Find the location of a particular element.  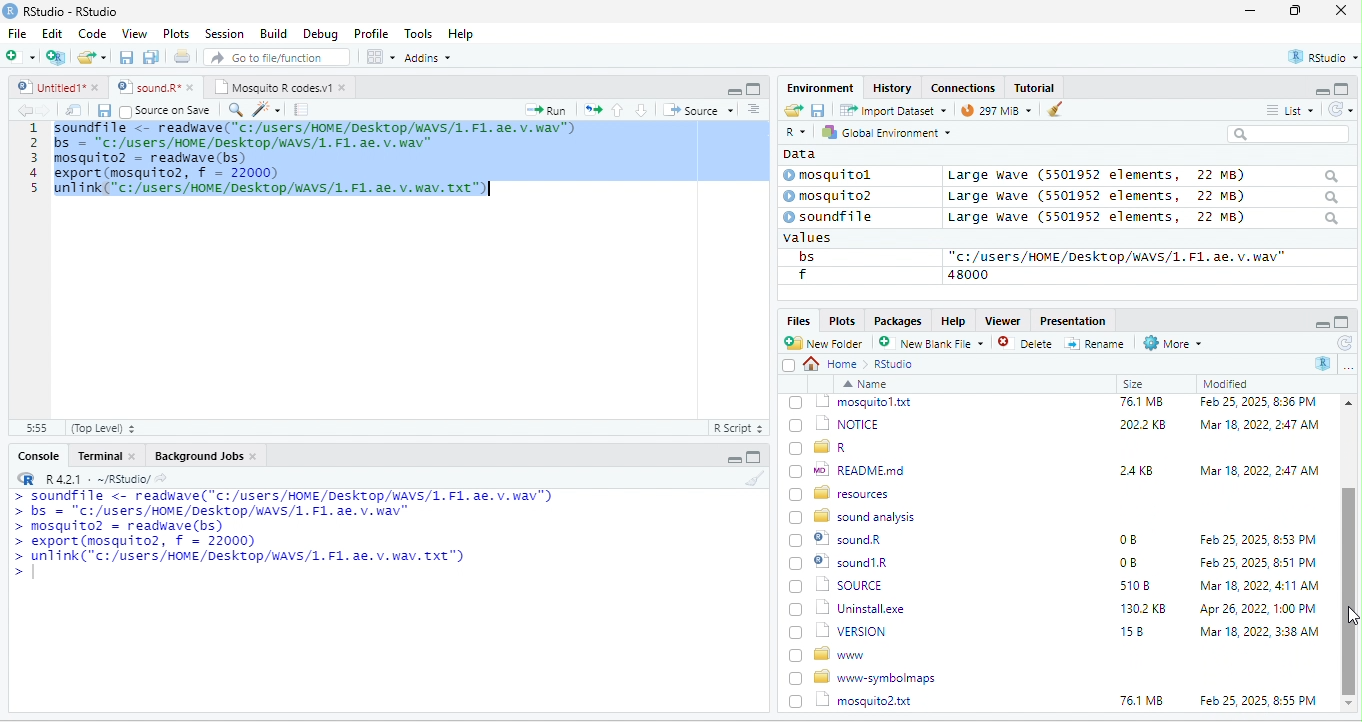

sort is located at coordinates (753, 108).